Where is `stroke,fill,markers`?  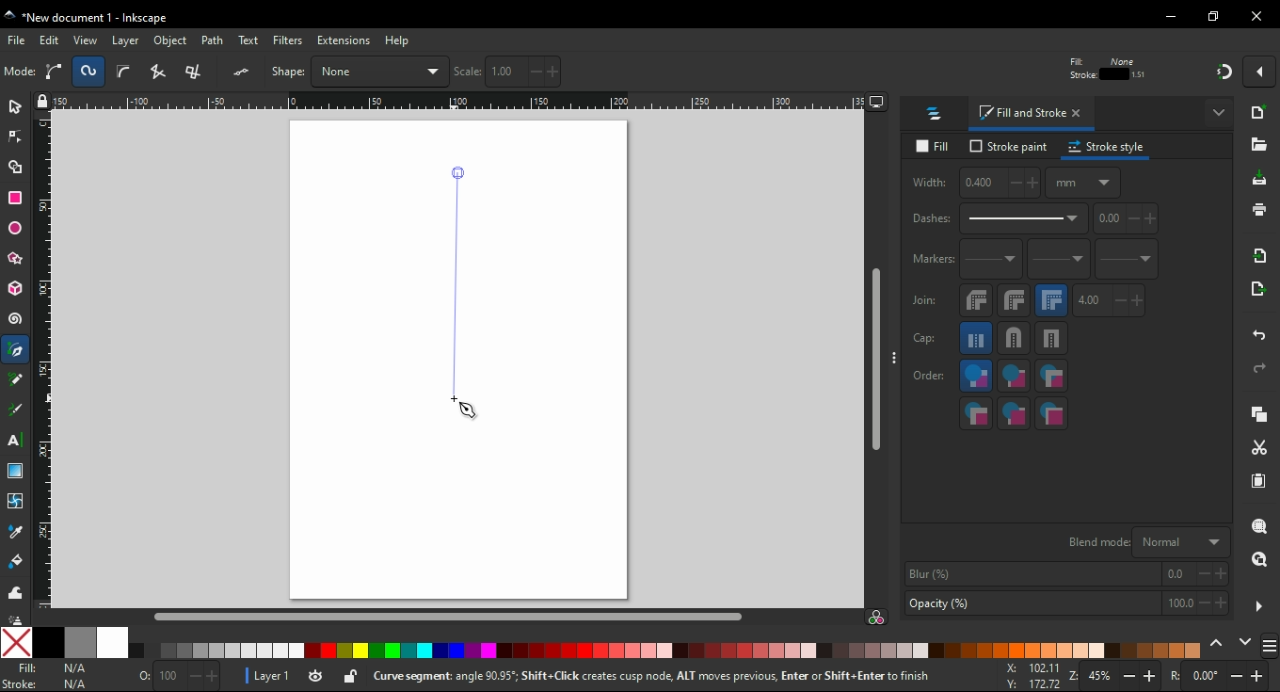
stroke,fill,markers is located at coordinates (1014, 377).